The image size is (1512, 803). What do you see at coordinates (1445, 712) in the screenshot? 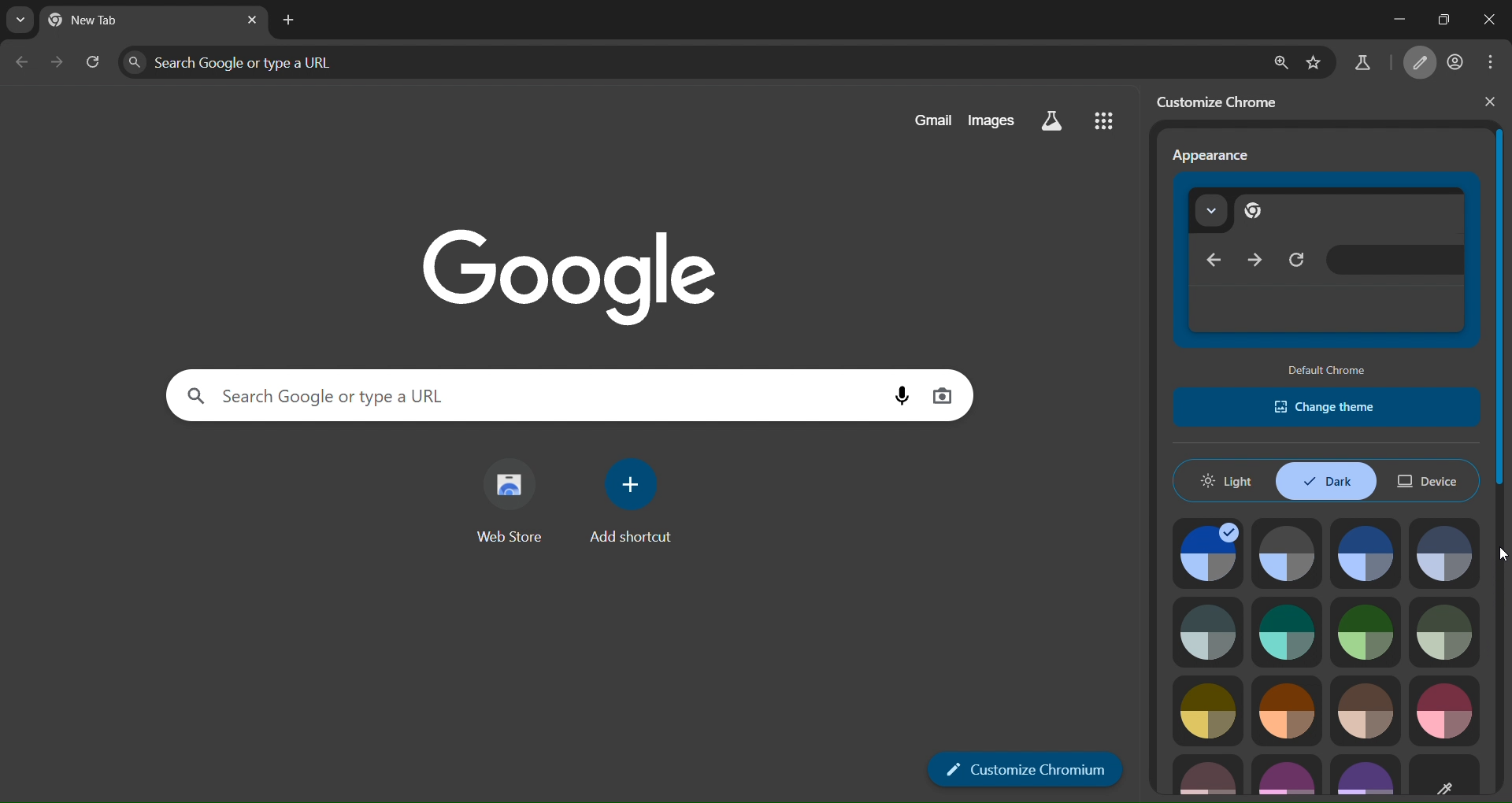
I see `theme` at bounding box center [1445, 712].